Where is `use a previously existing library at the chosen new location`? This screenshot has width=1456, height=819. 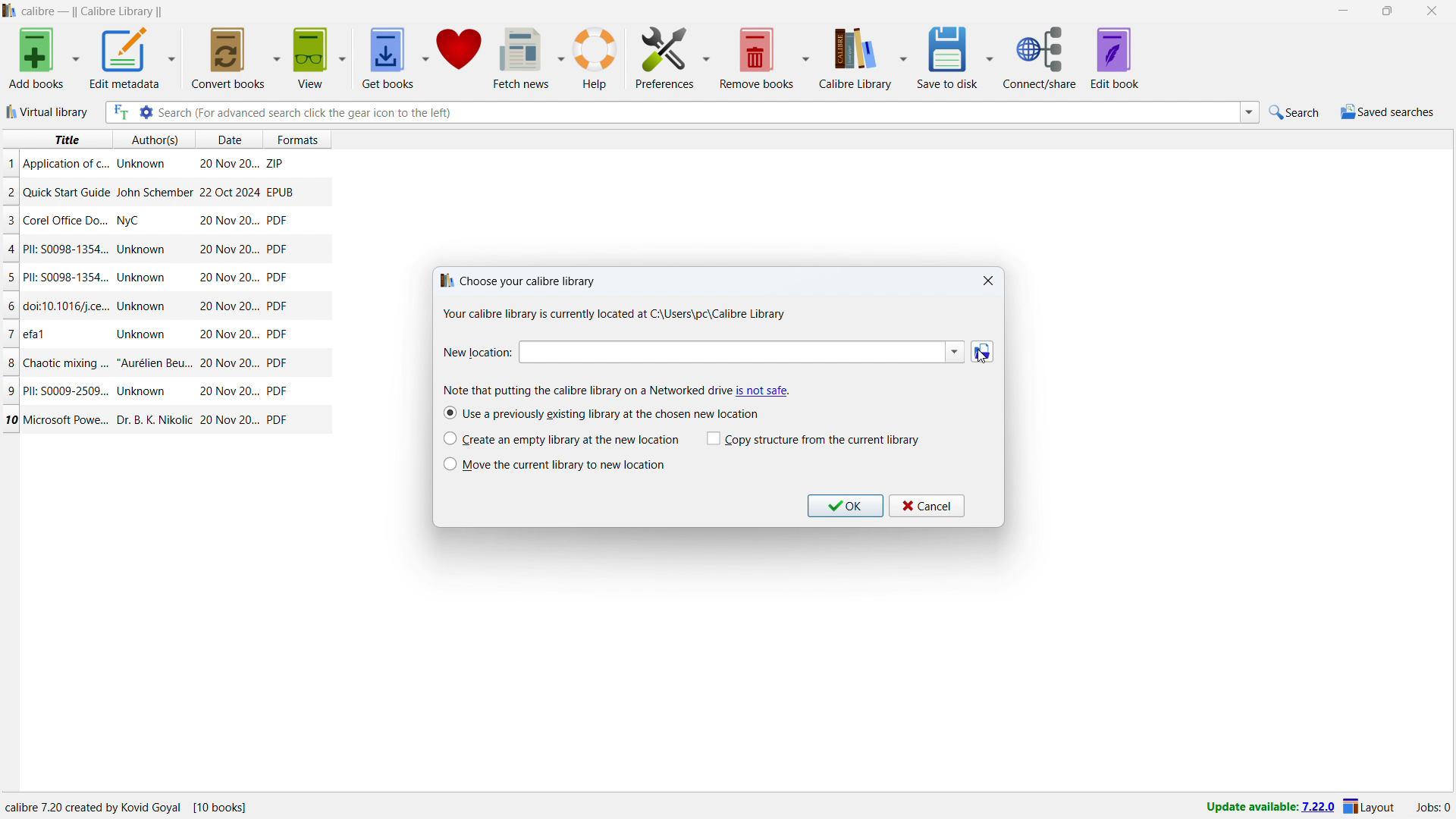 use a previously existing library at the chosen new location is located at coordinates (601, 413).